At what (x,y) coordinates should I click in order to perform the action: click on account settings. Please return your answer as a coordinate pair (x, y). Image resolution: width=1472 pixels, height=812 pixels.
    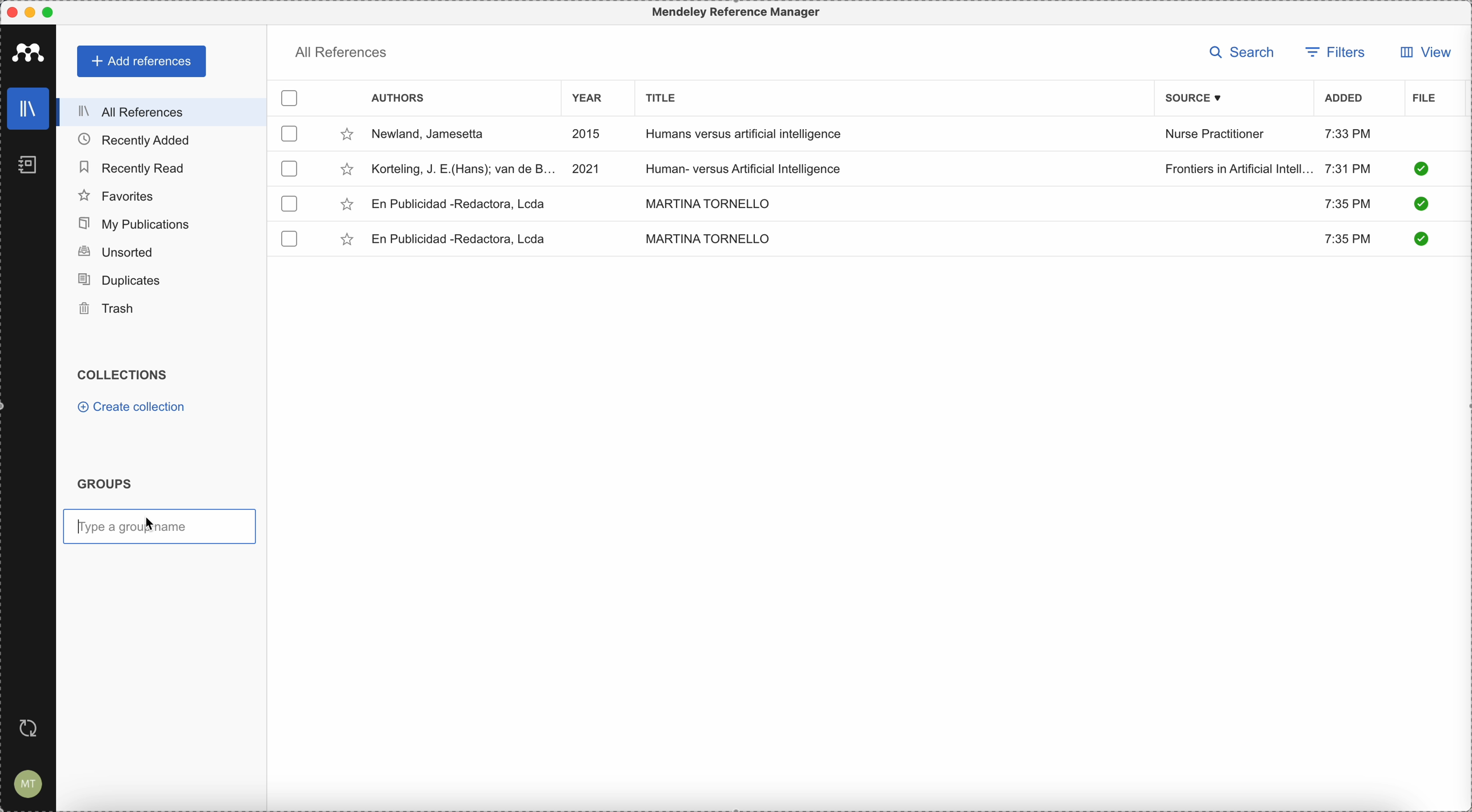
    Looking at the image, I should click on (26, 785).